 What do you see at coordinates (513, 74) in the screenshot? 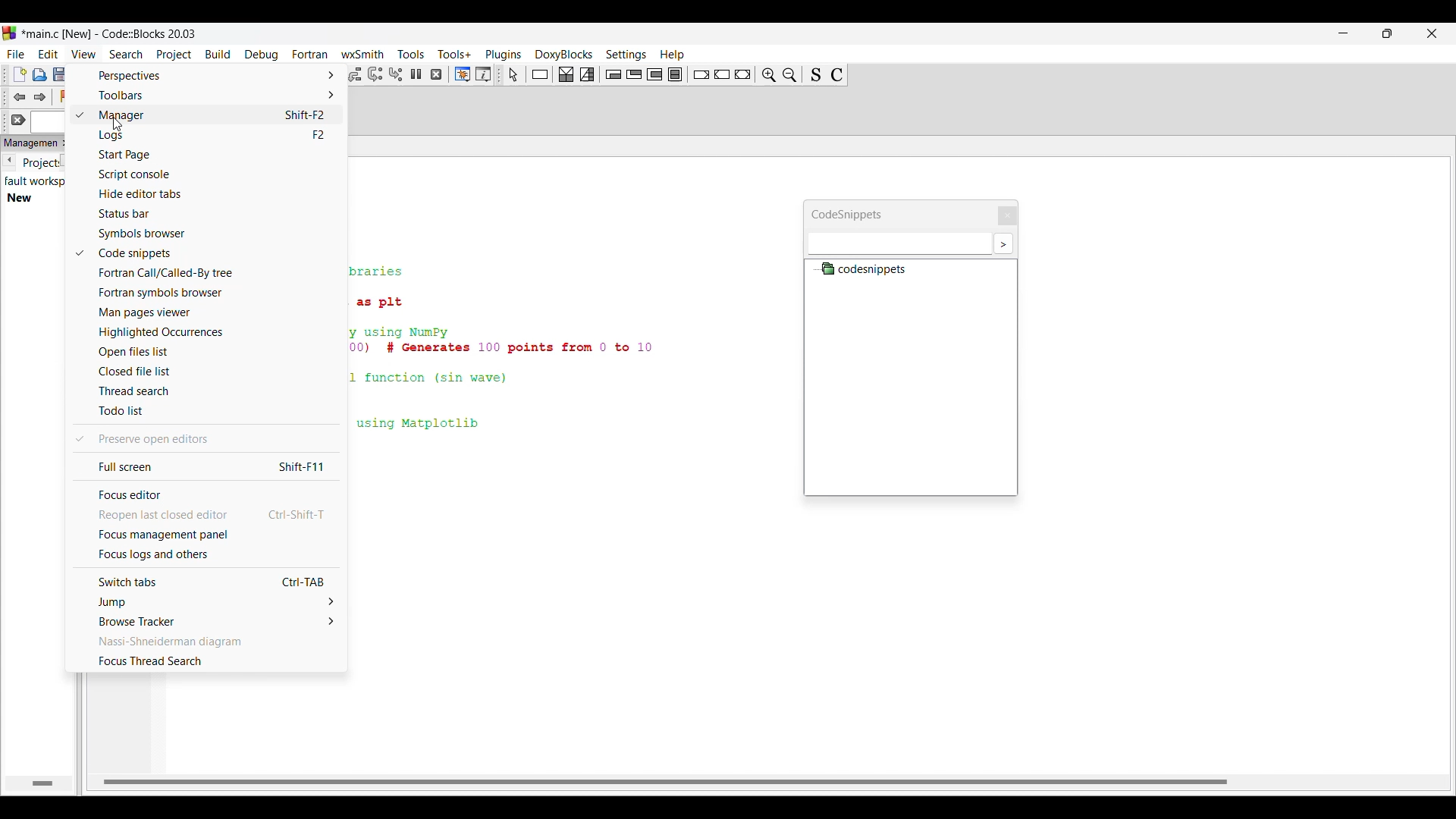
I see `Select` at bounding box center [513, 74].